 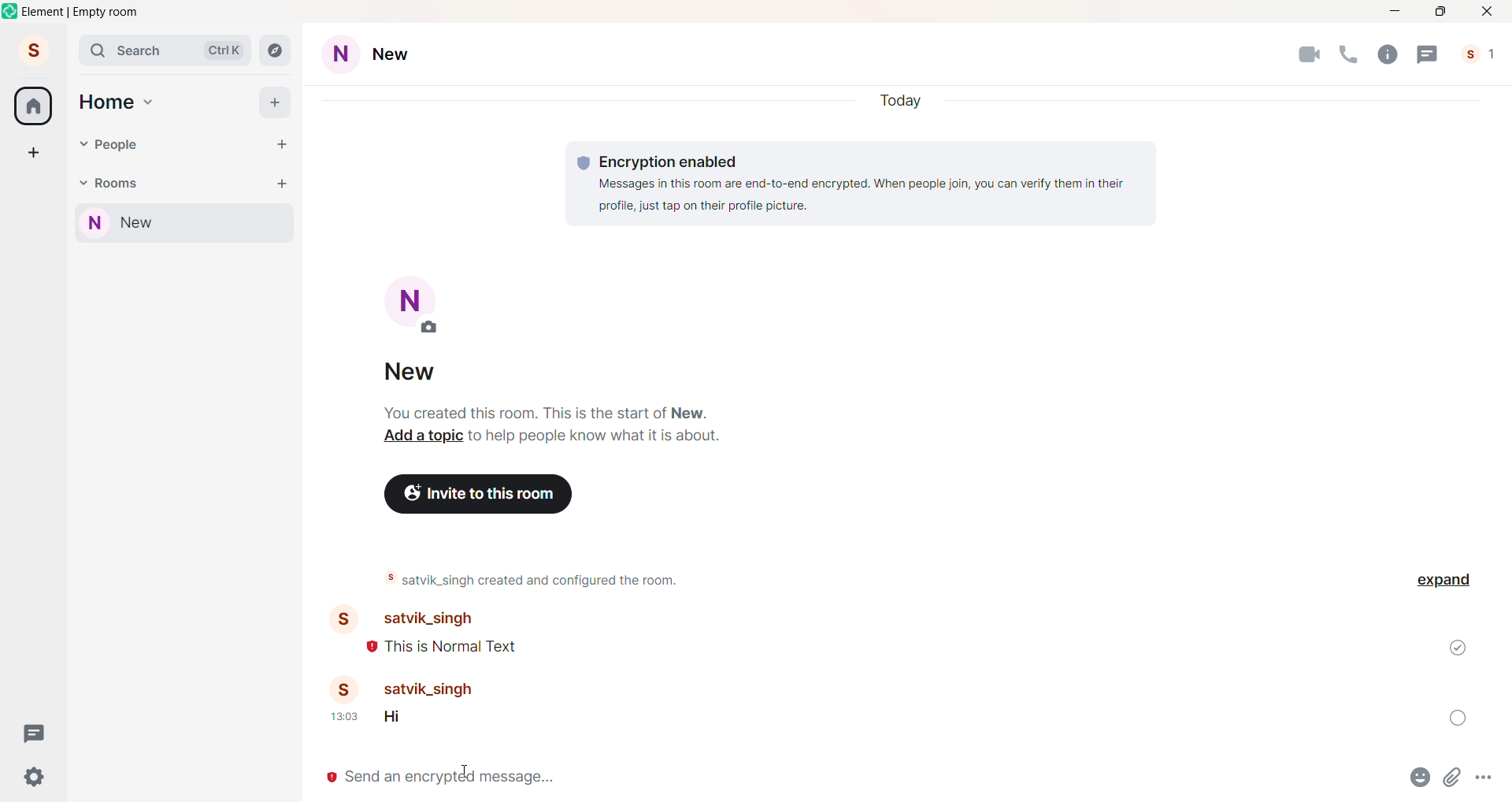 I want to click on satvik_singh, so click(x=414, y=618).